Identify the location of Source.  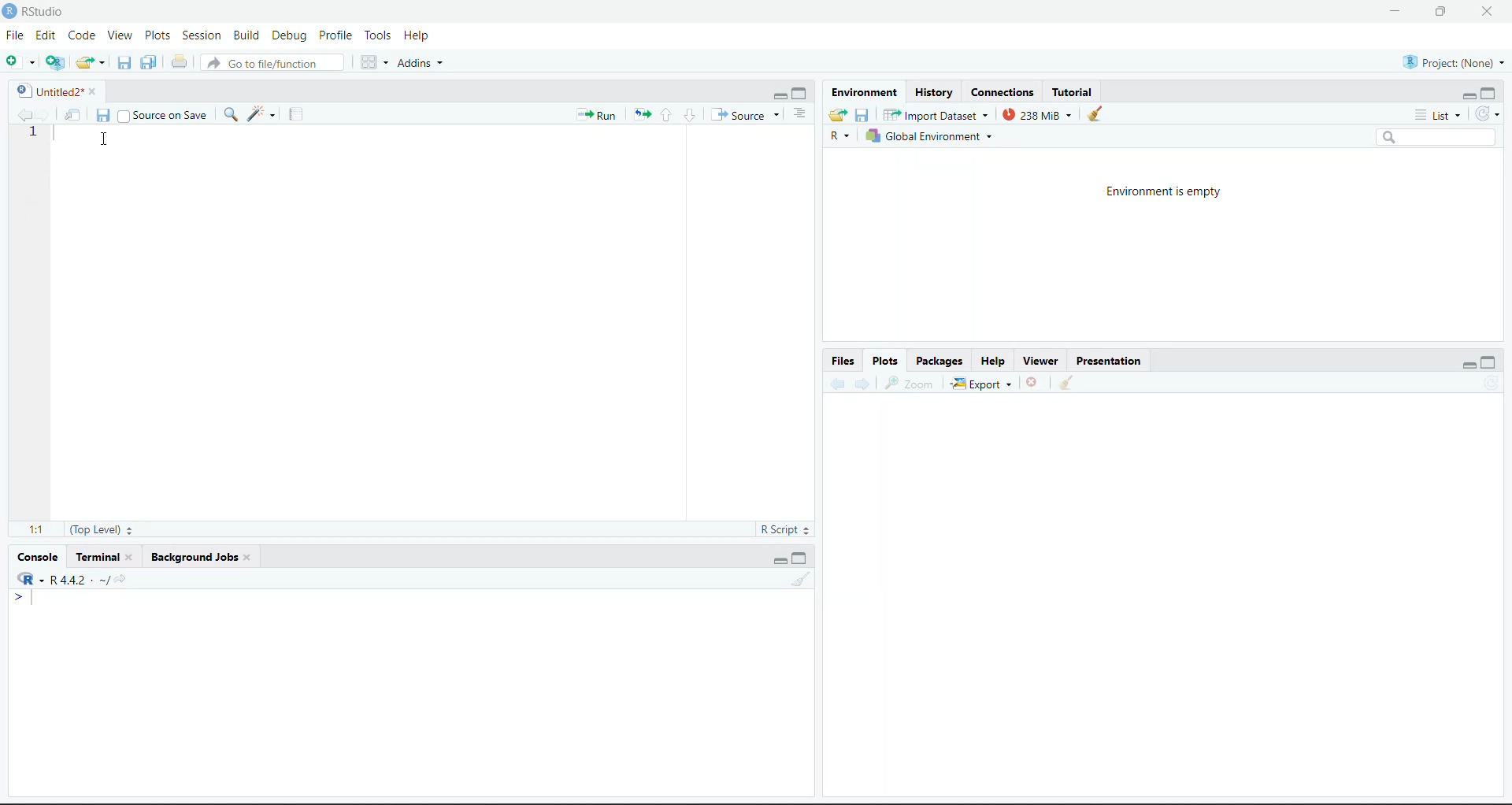
(746, 114).